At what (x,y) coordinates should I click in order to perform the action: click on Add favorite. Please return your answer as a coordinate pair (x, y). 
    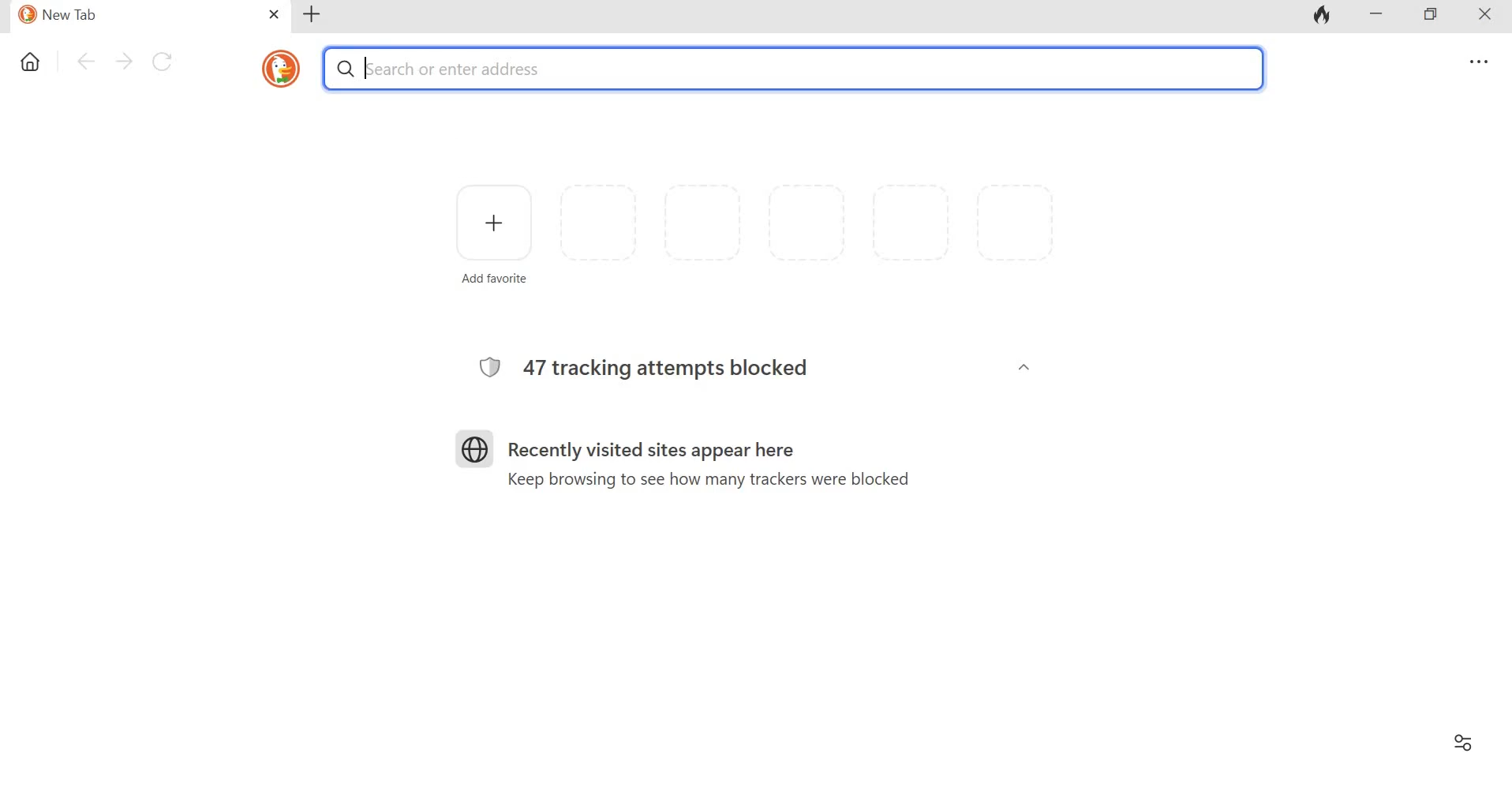
    Looking at the image, I should click on (495, 223).